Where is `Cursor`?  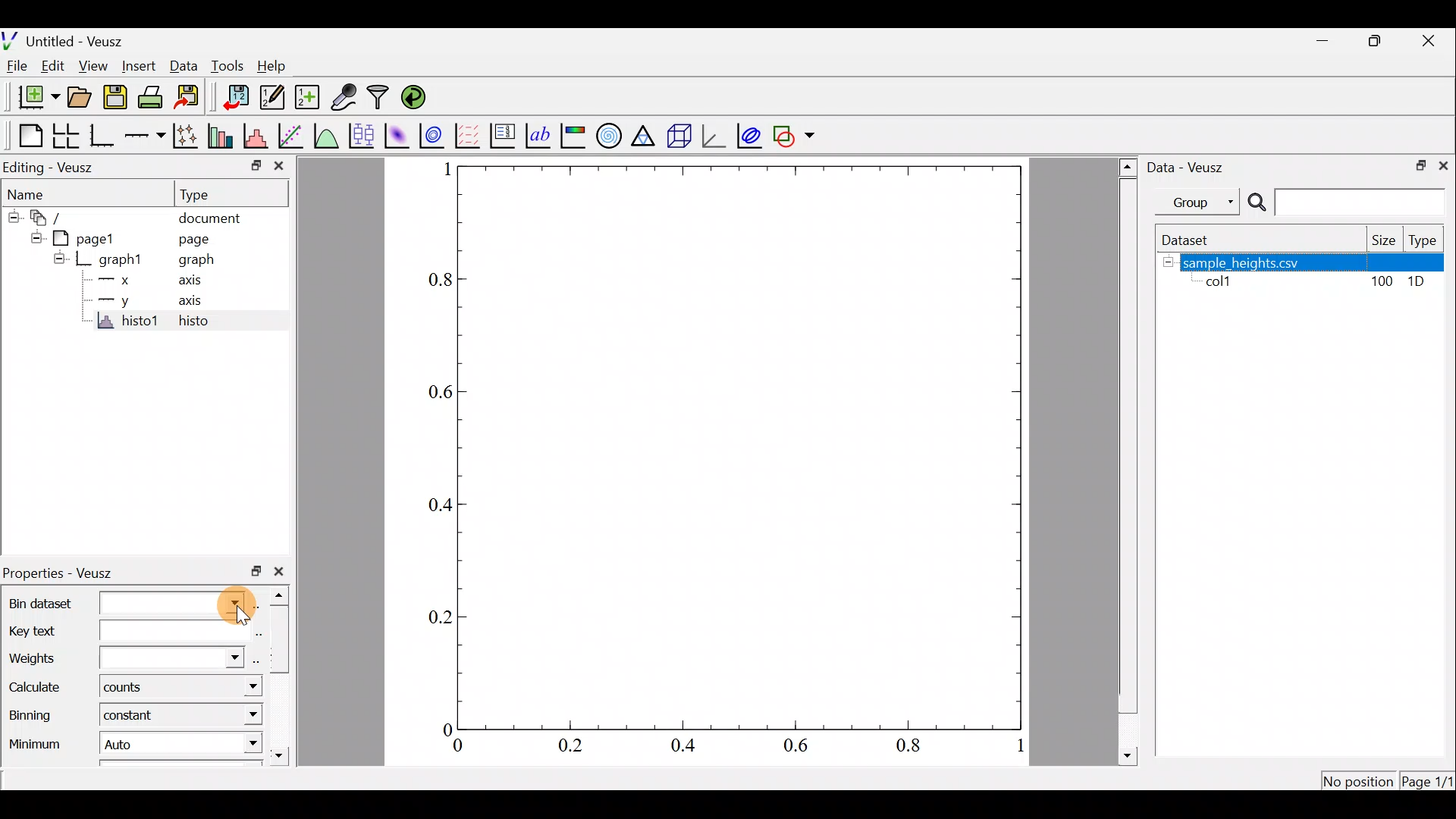
Cursor is located at coordinates (231, 601).